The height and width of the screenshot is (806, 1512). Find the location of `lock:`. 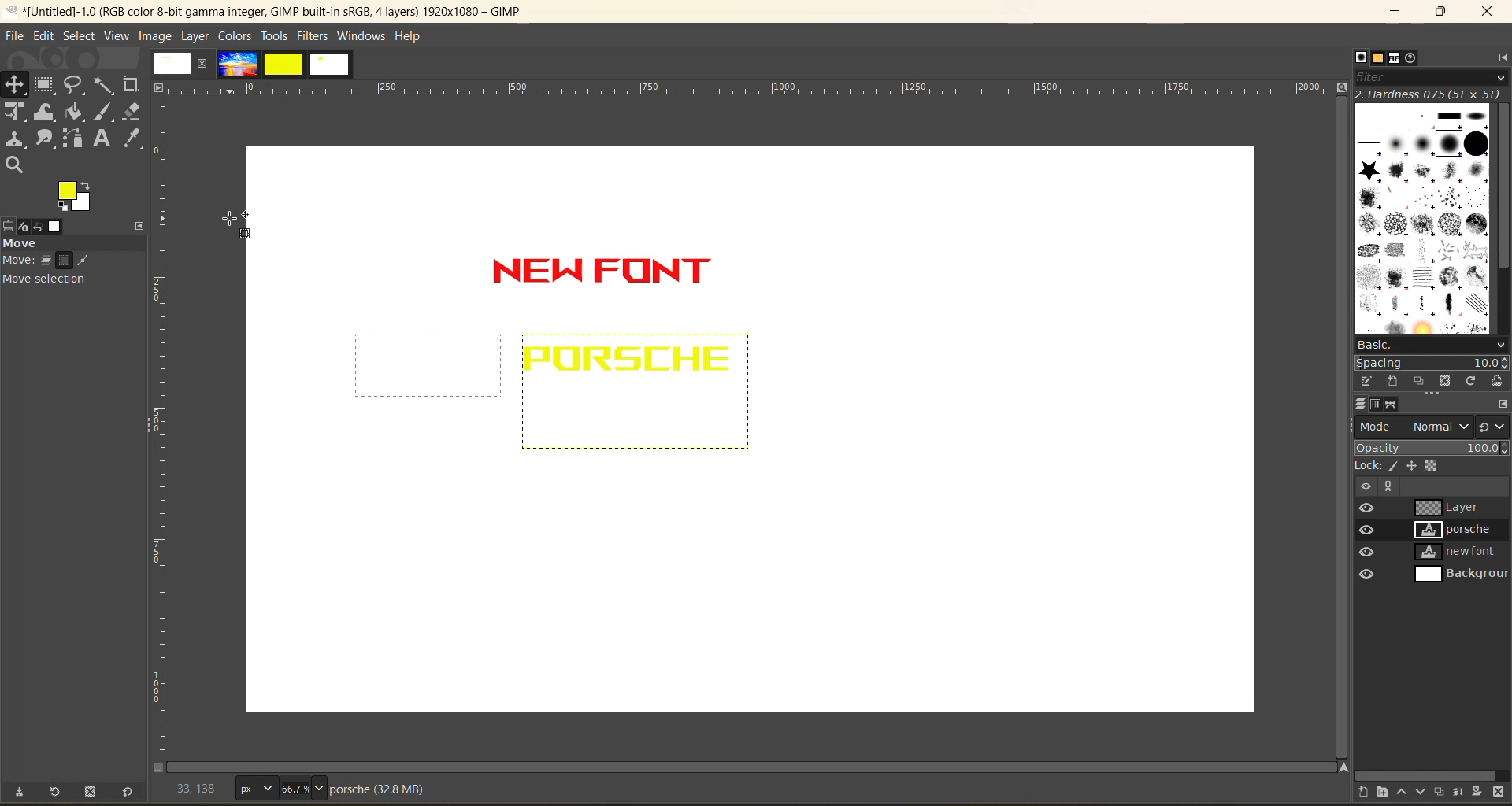

lock: is located at coordinates (1362, 467).